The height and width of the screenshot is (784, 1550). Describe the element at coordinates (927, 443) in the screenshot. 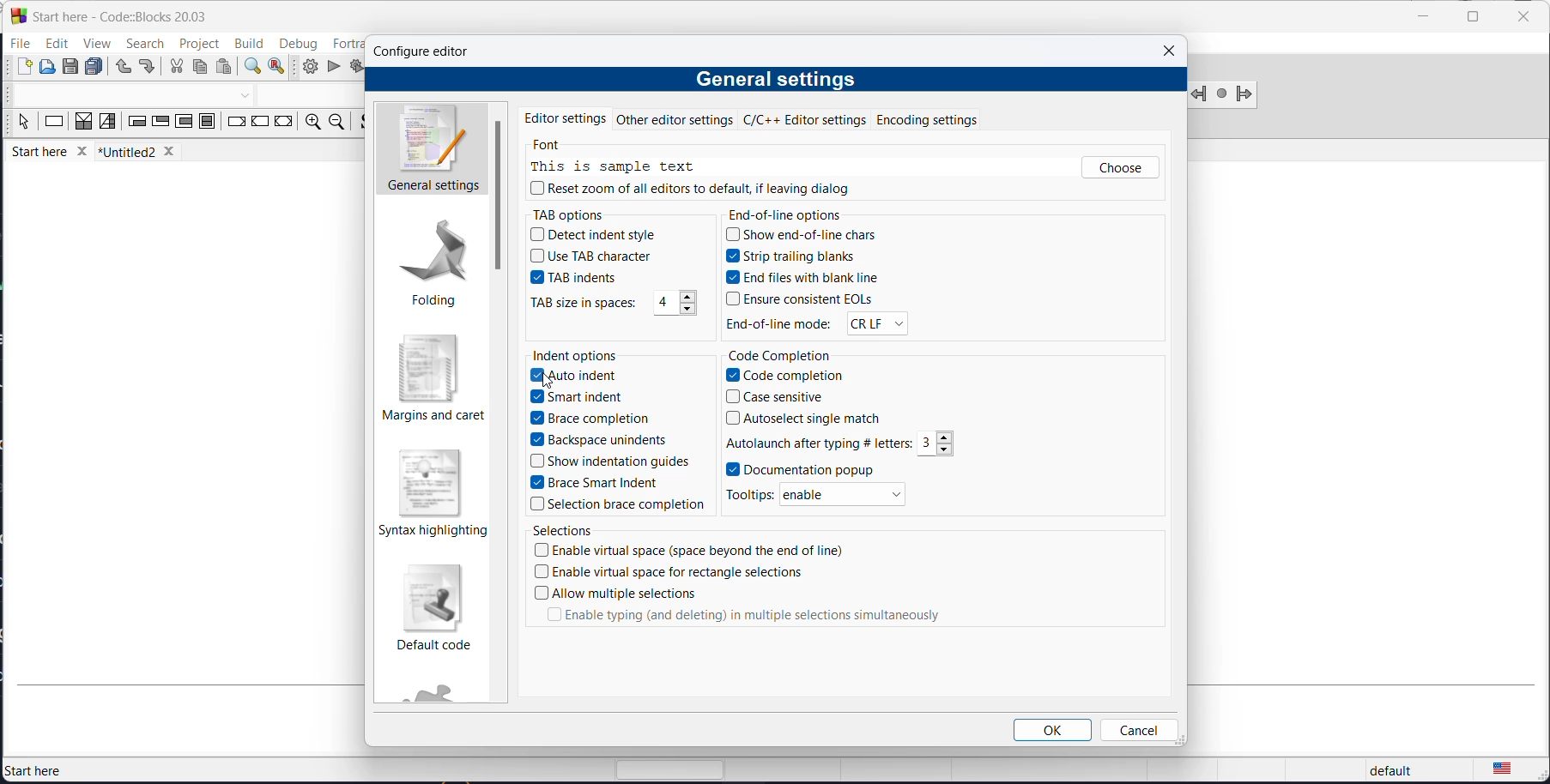

I see `autolaunch value` at that location.